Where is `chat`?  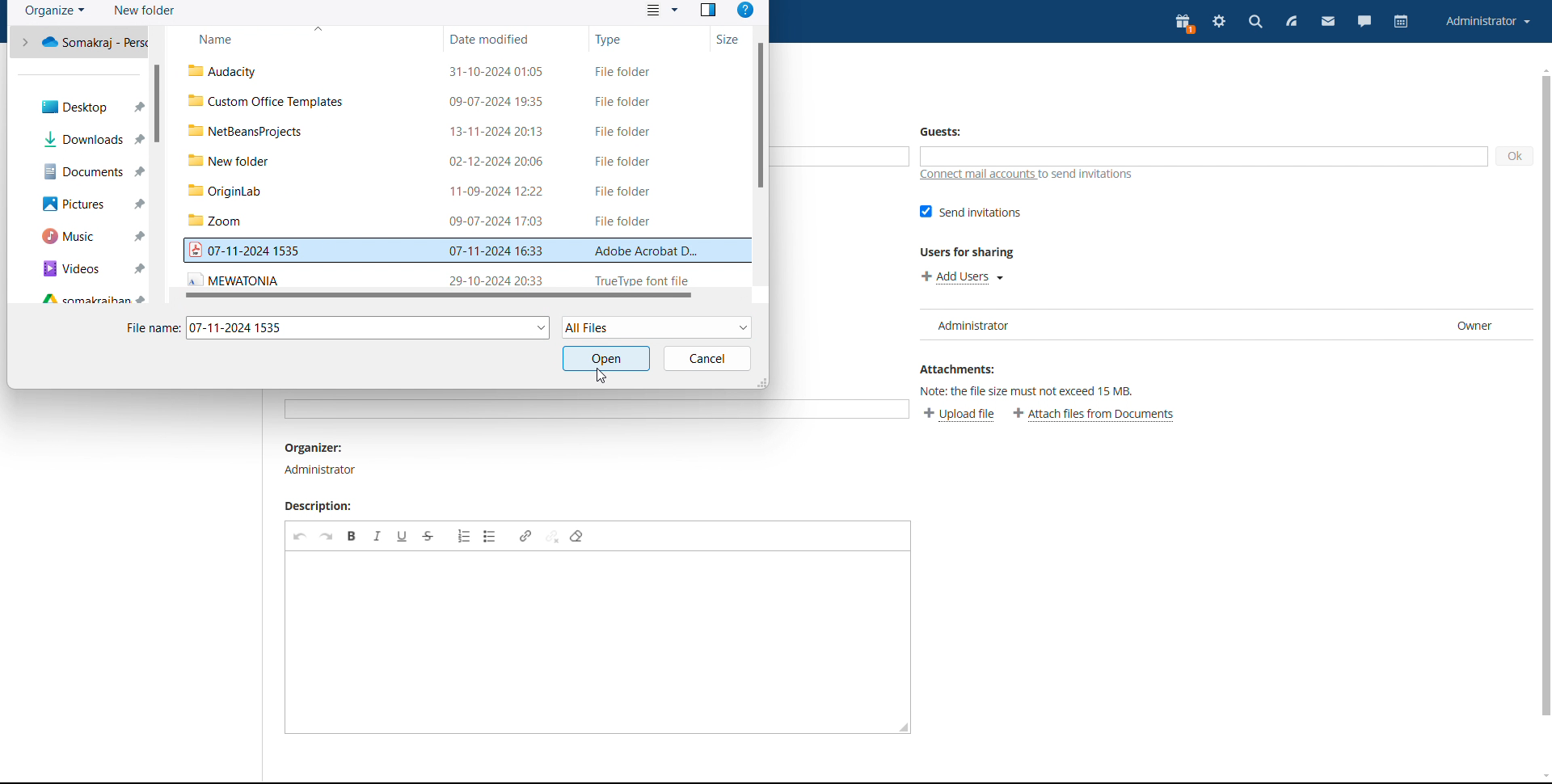
chat is located at coordinates (1365, 23).